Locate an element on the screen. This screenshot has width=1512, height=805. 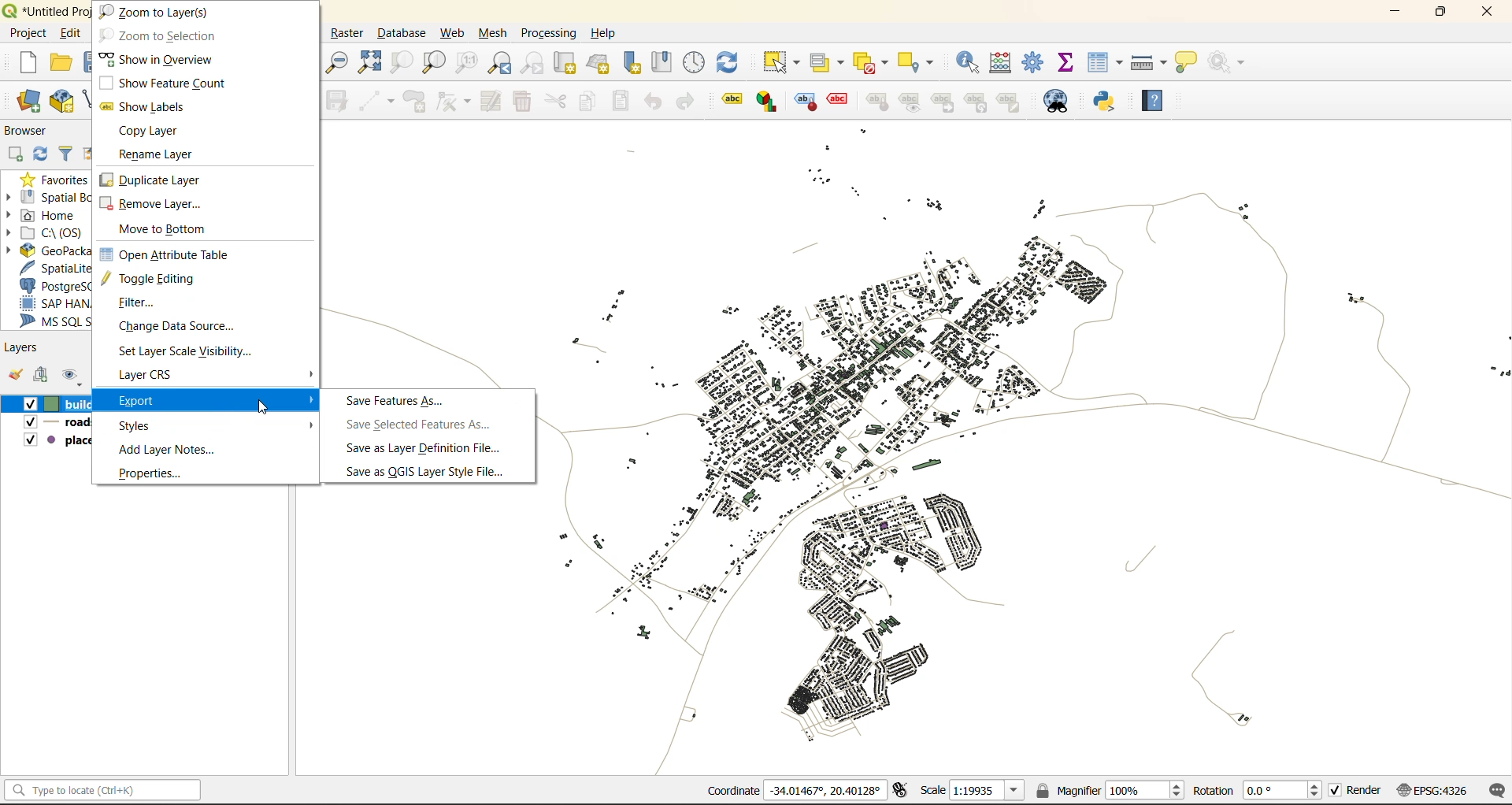
attributes table is located at coordinates (1105, 64).